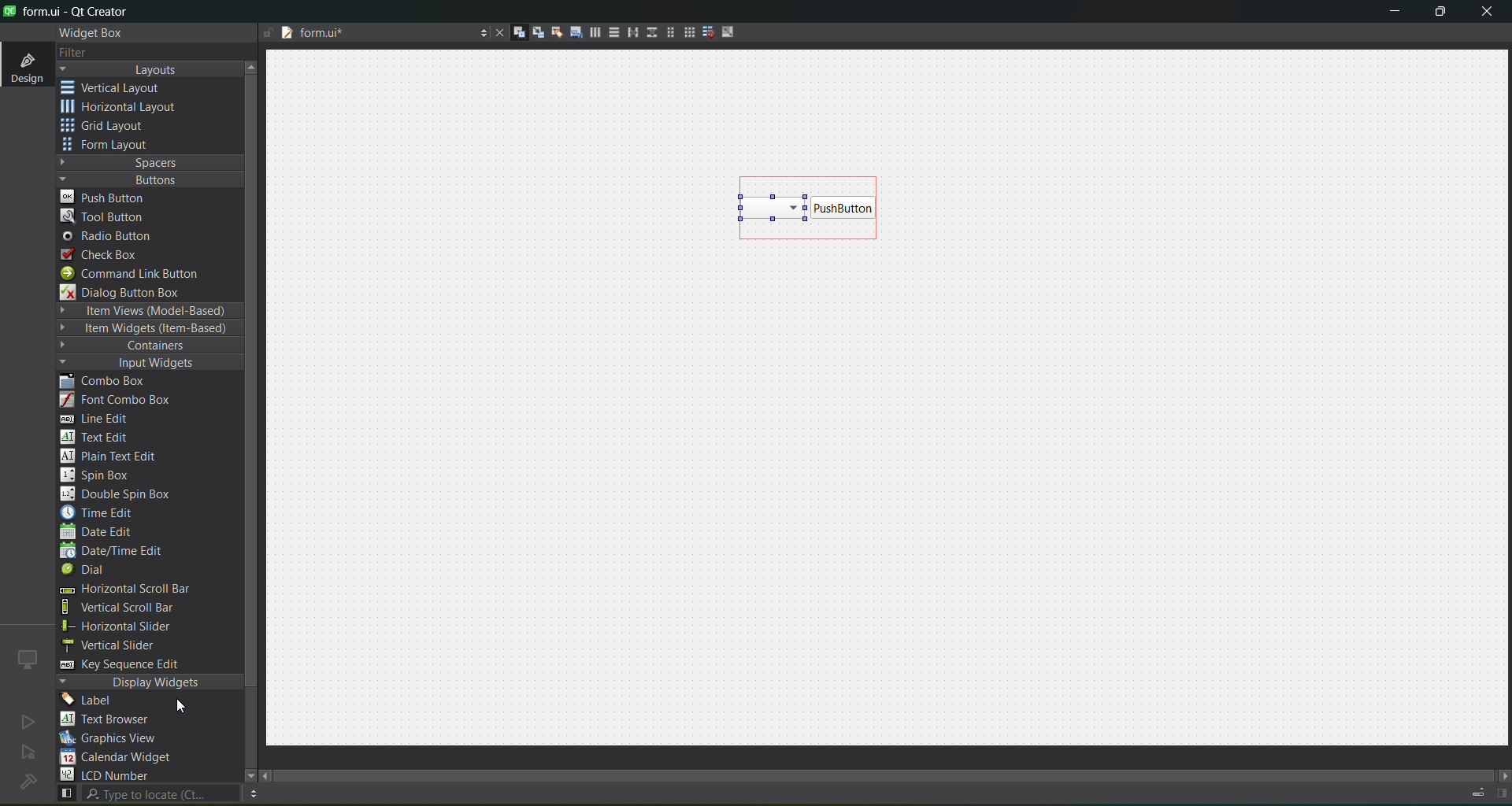  What do you see at coordinates (254, 65) in the screenshot?
I see `move up` at bounding box center [254, 65].